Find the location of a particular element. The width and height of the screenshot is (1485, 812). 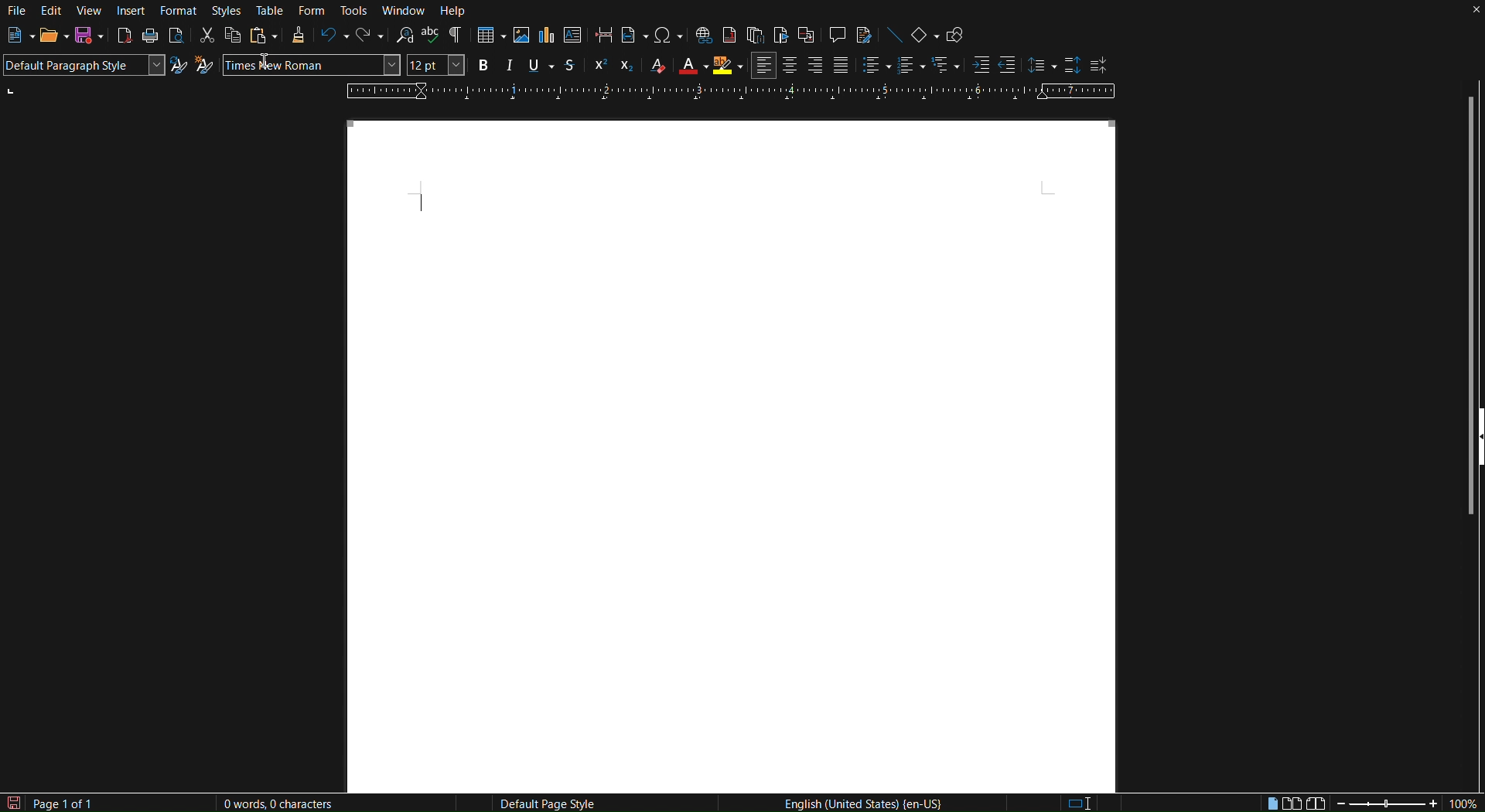

Canvas is located at coordinates (729, 453).